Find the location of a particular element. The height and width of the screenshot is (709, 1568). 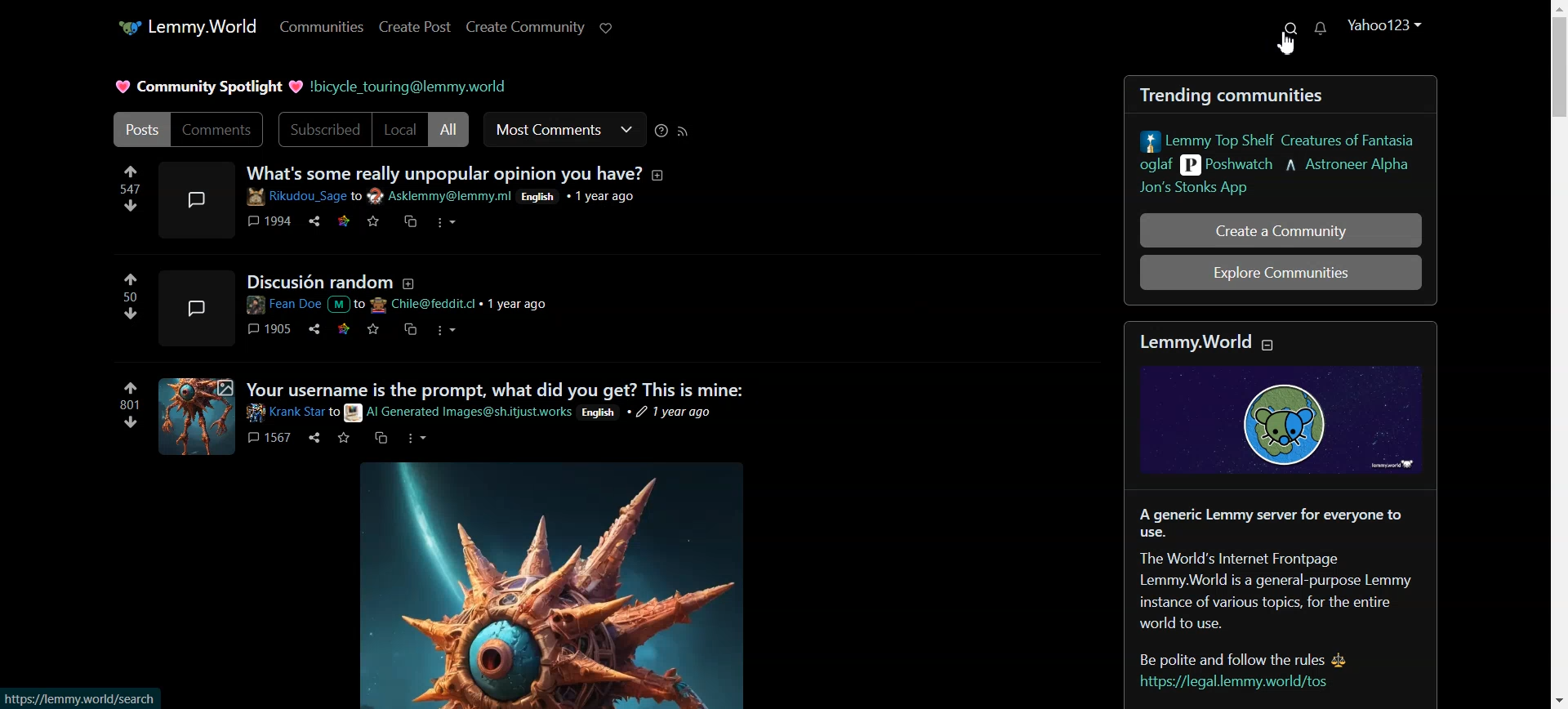

1905 comments is located at coordinates (266, 328).